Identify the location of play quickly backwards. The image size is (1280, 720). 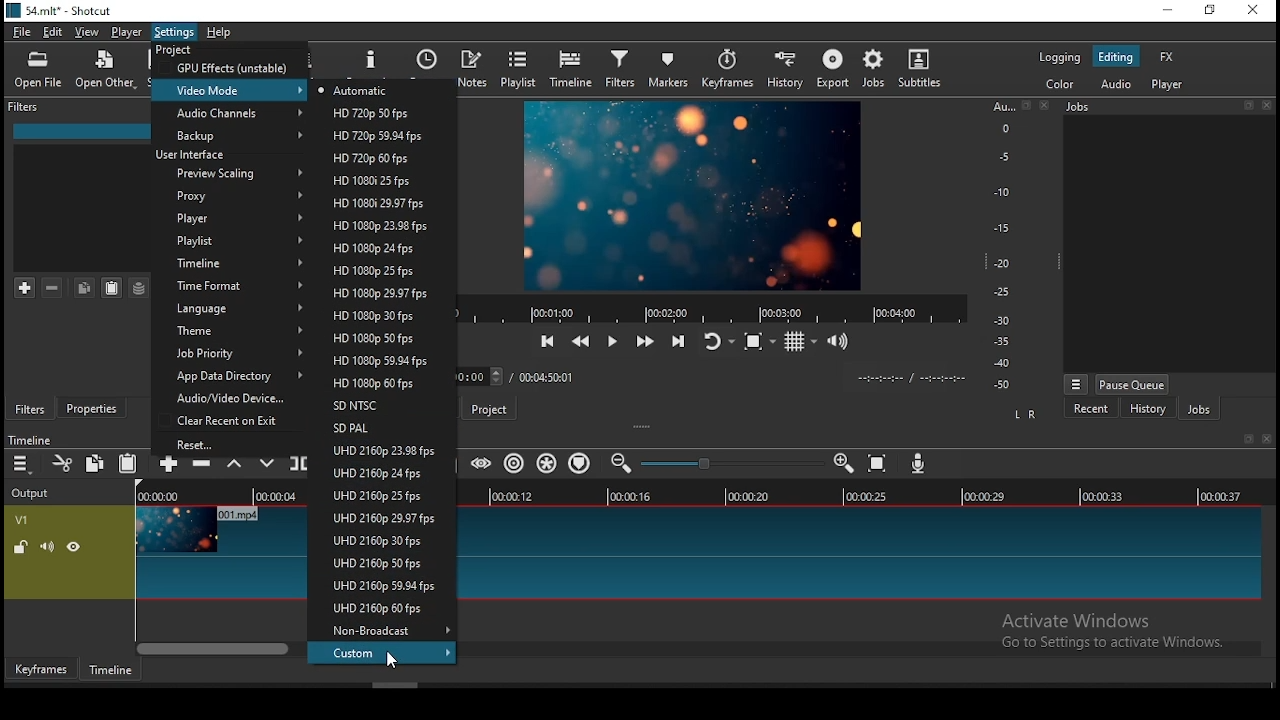
(582, 338).